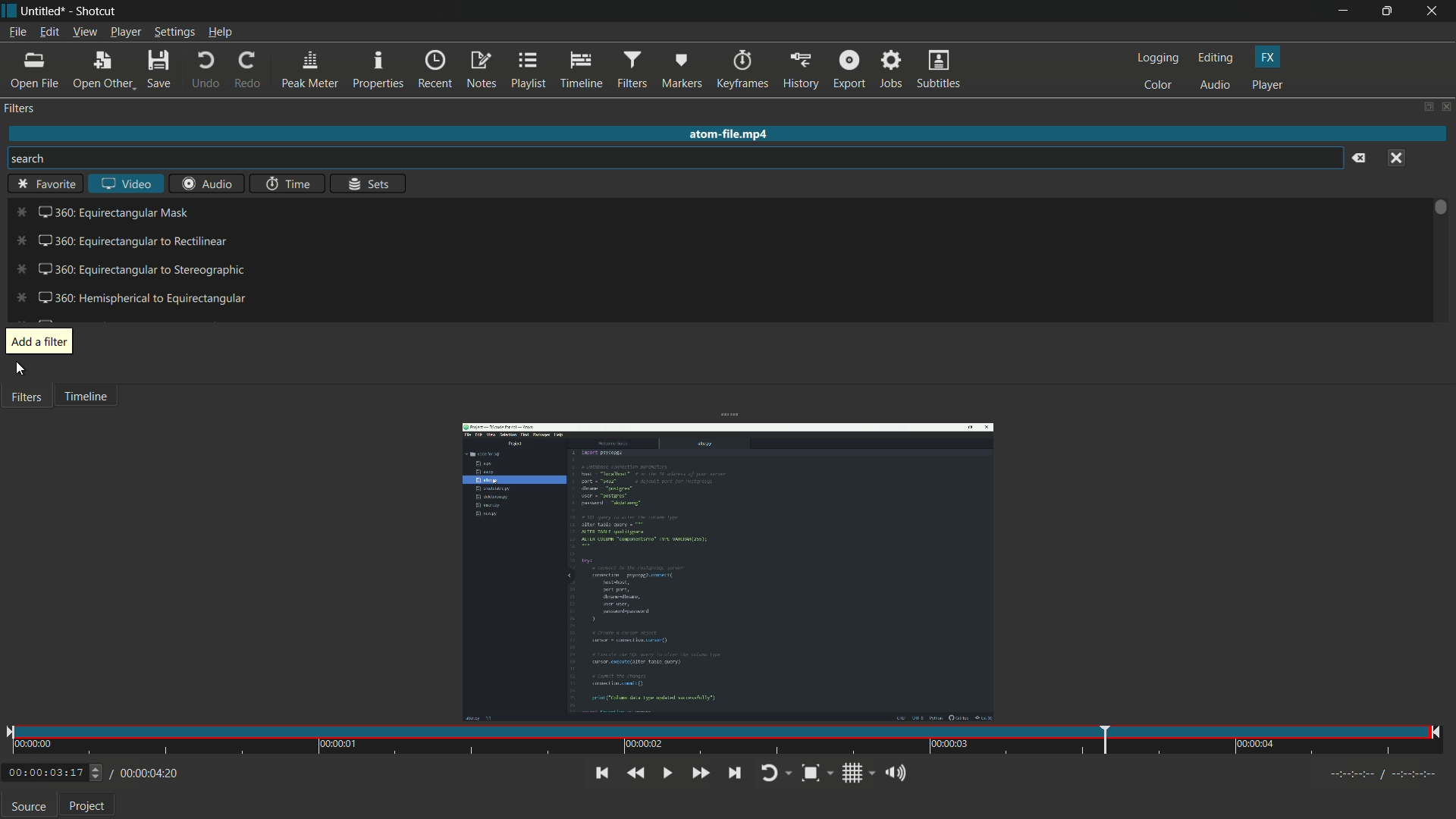 This screenshot has height=819, width=1456. What do you see at coordinates (742, 135) in the screenshot?
I see `atom-file.mp4 (imported video name)` at bounding box center [742, 135].